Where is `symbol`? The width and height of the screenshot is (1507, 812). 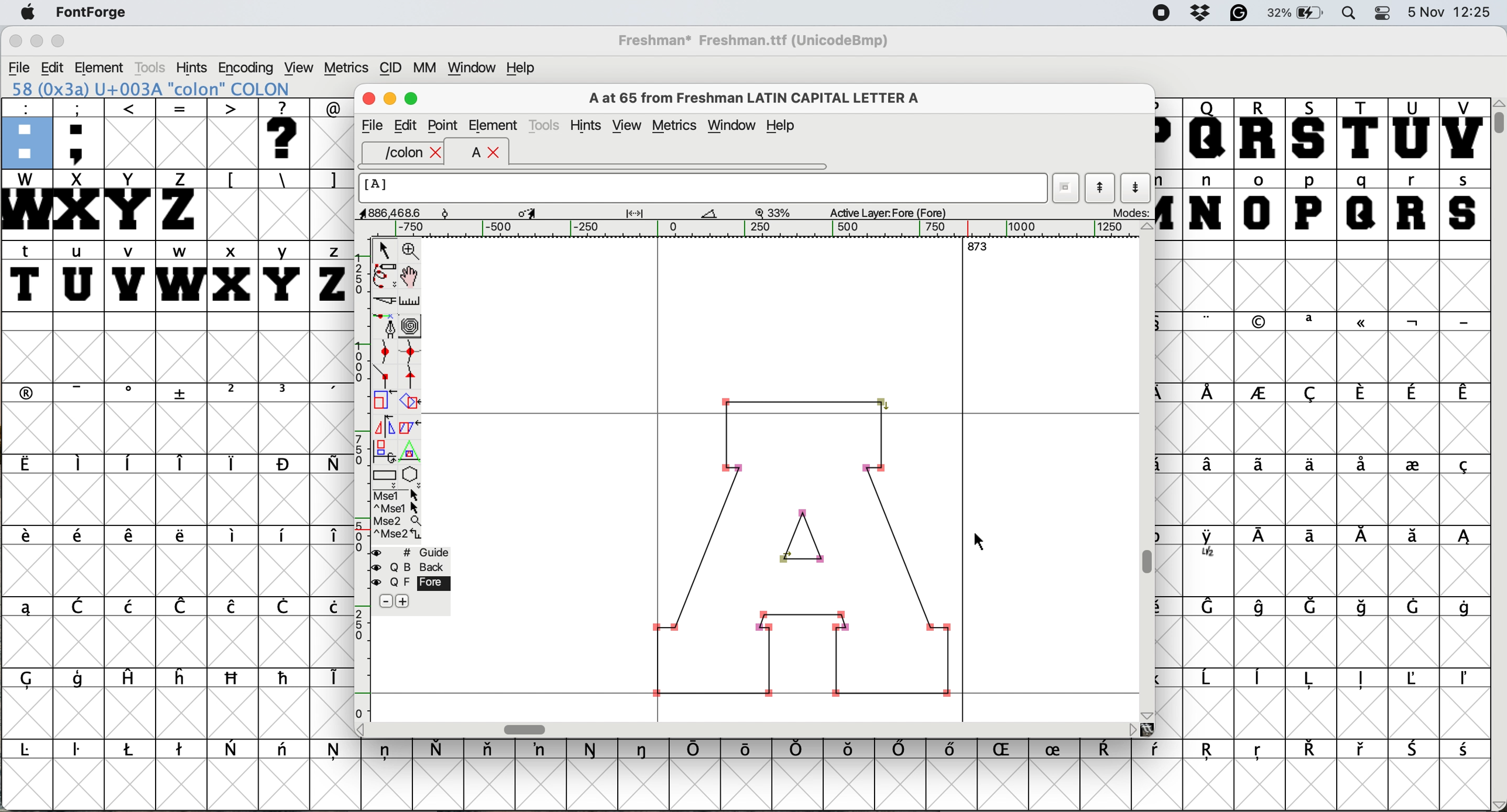
symbol is located at coordinates (131, 749).